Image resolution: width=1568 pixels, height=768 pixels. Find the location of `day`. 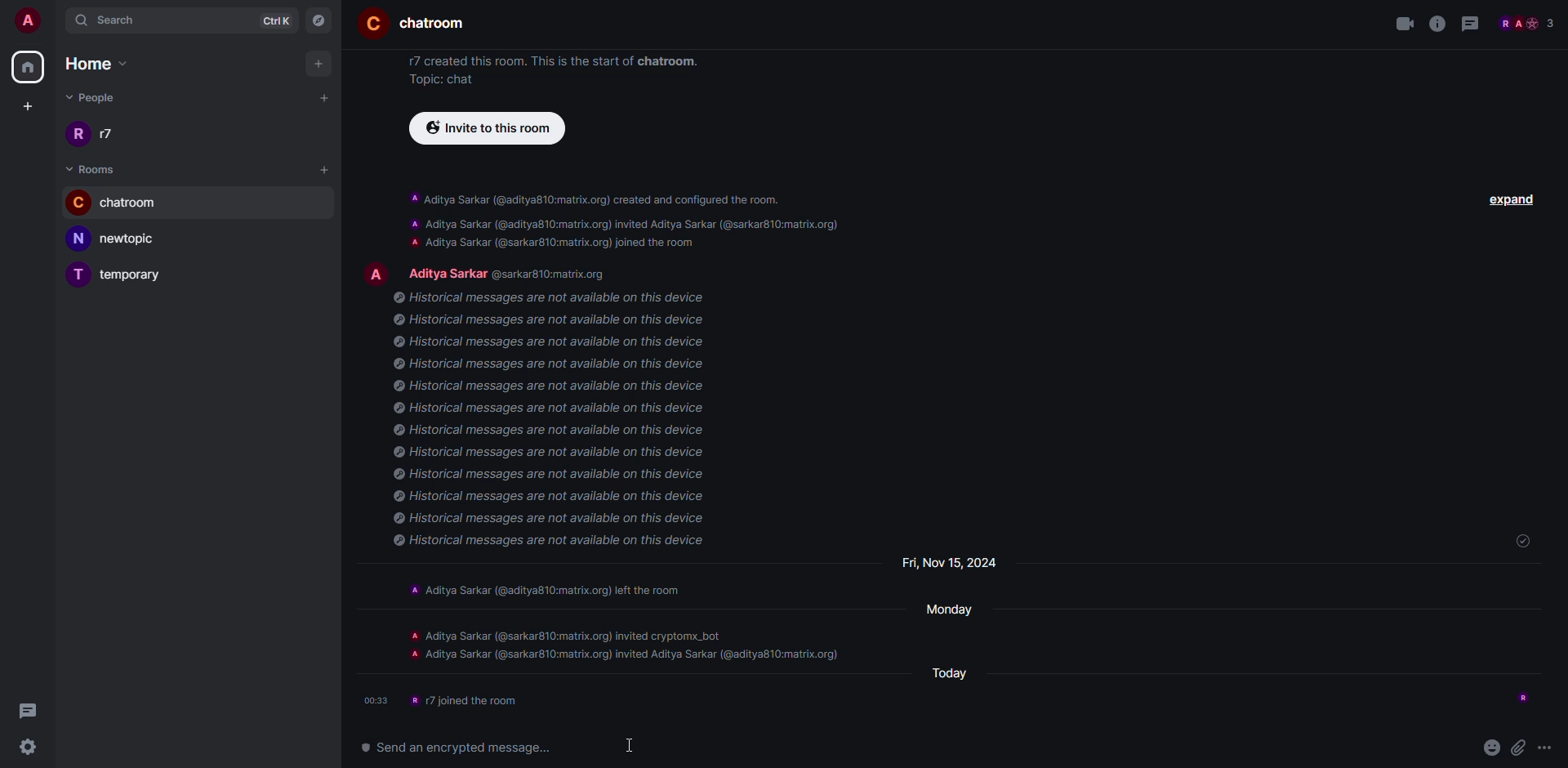

day is located at coordinates (960, 674).